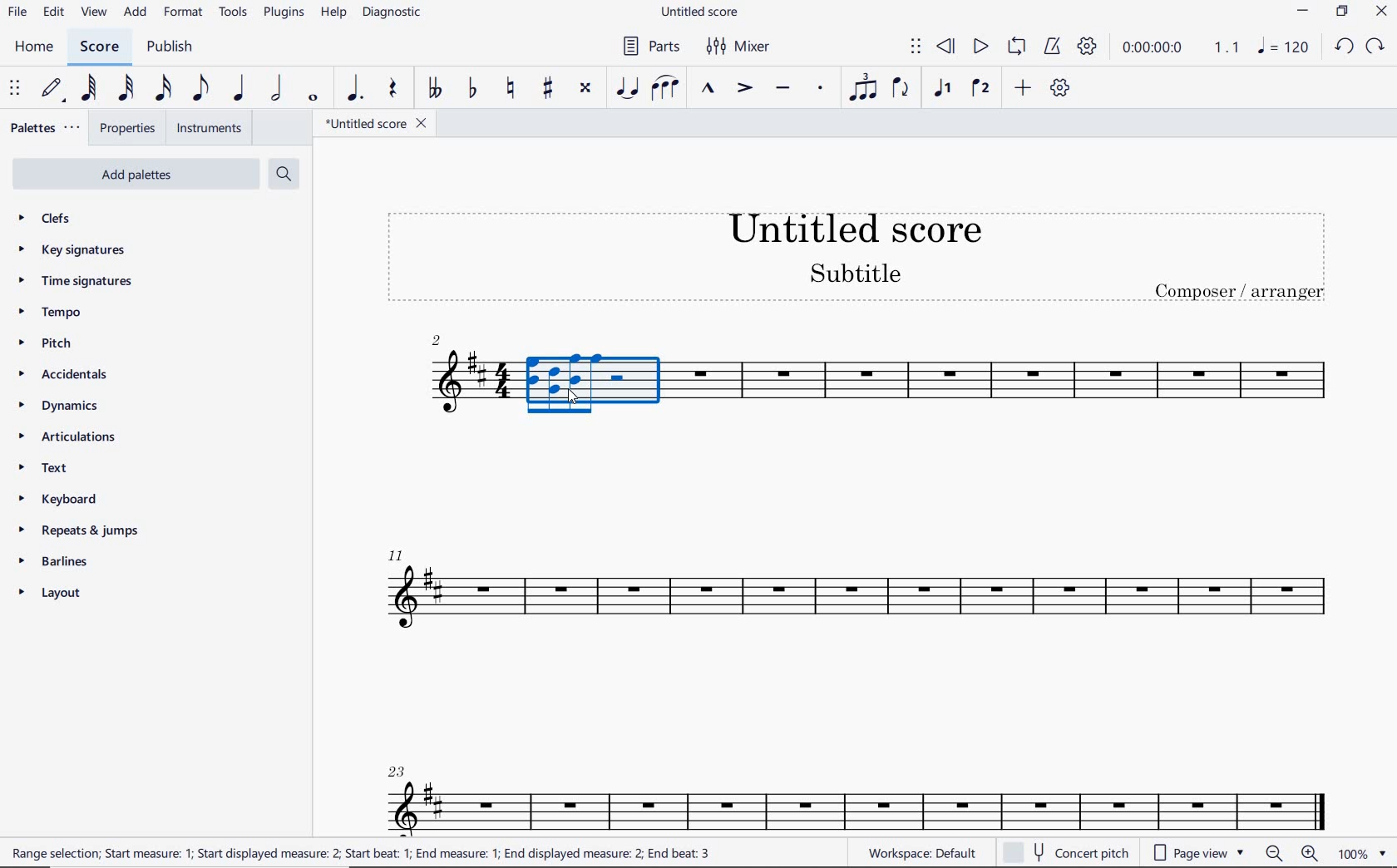  What do you see at coordinates (650, 45) in the screenshot?
I see `PARTS` at bounding box center [650, 45].